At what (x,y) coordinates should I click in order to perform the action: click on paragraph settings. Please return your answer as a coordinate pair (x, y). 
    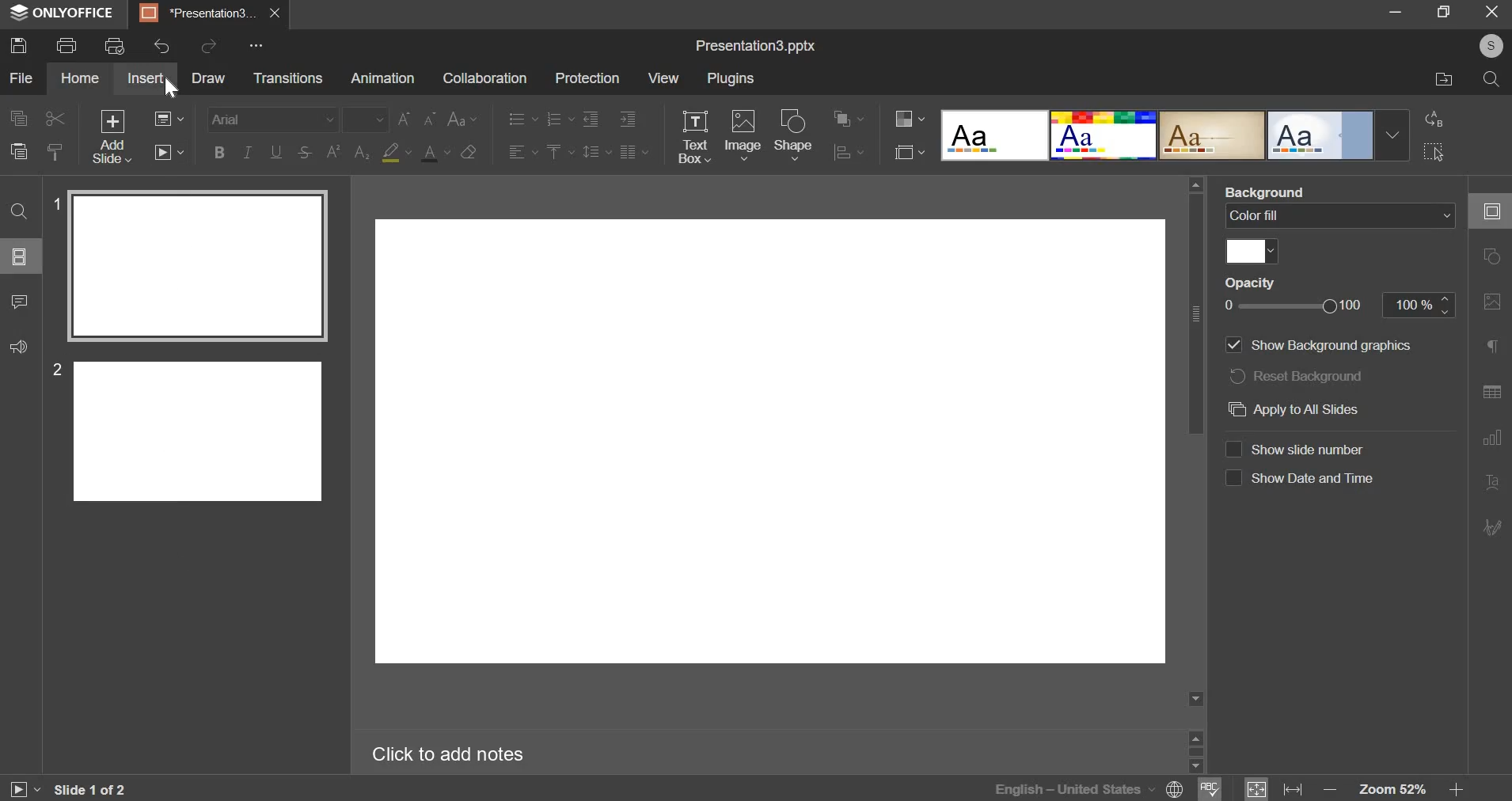
    Looking at the image, I should click on (635, 153).